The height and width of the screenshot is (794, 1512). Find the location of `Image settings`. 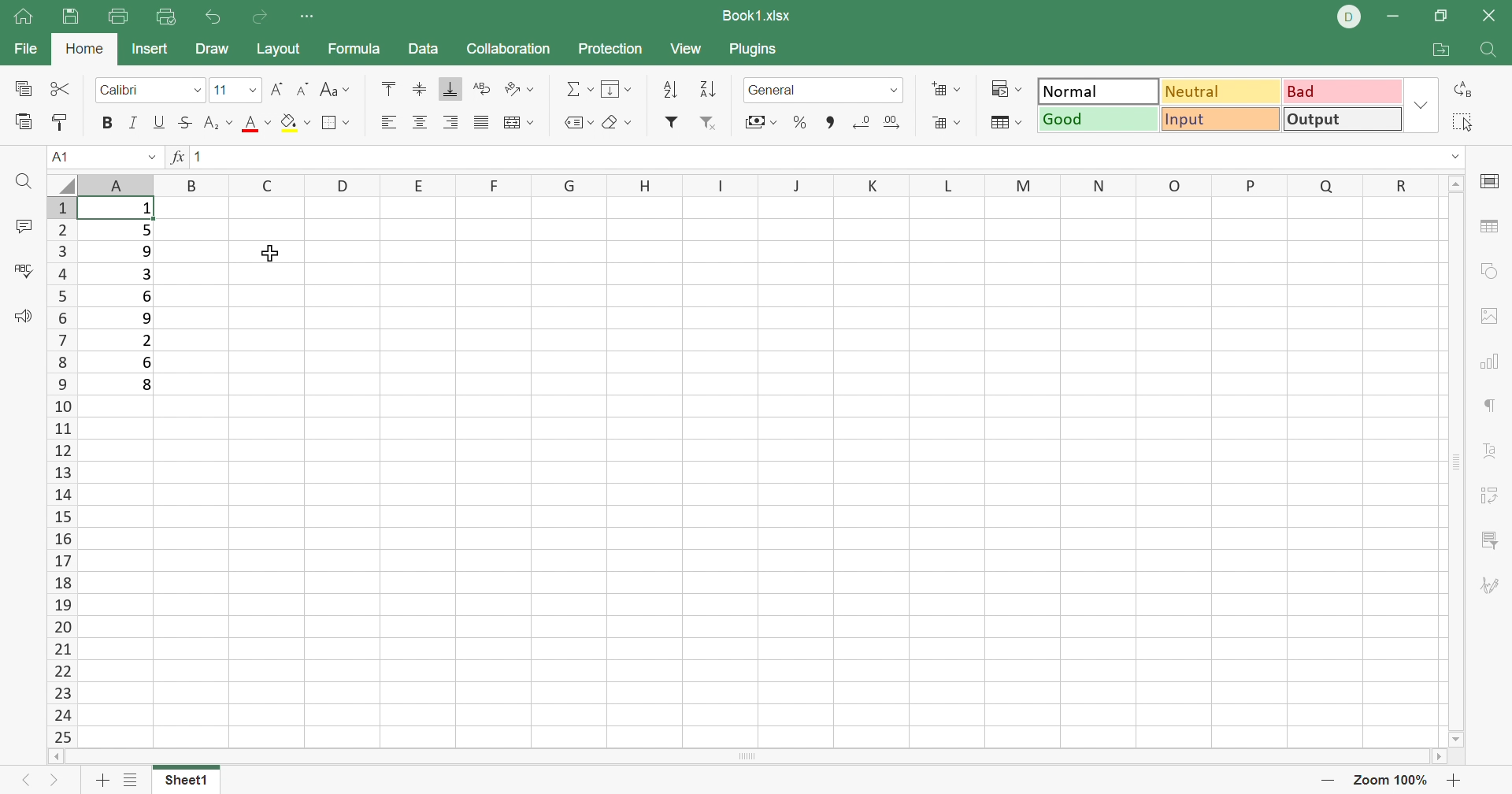

Image settings is located at coordinates (1487, 318).